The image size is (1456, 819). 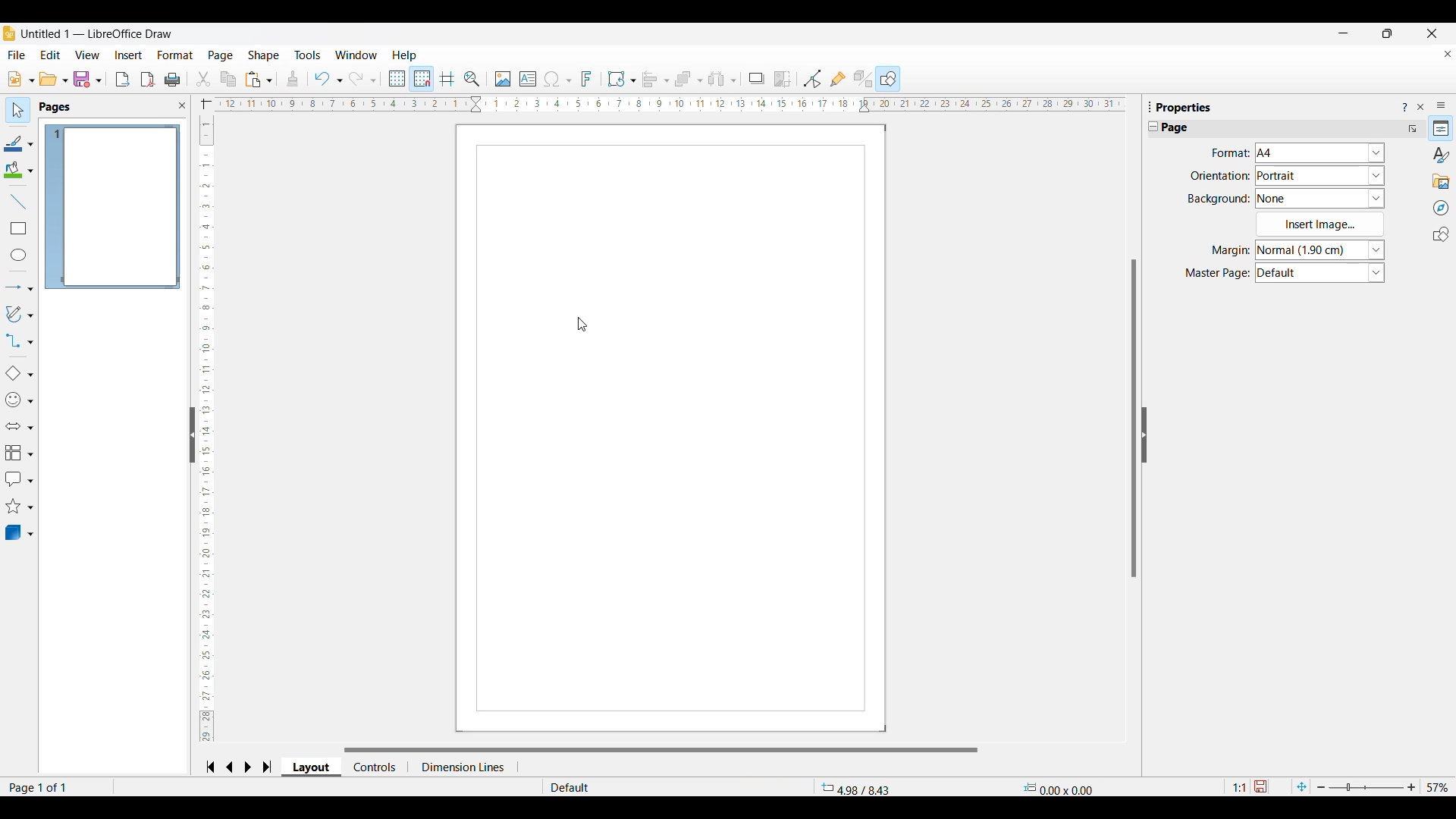 I want to click on Fill color options, so click(x=18, y=170).